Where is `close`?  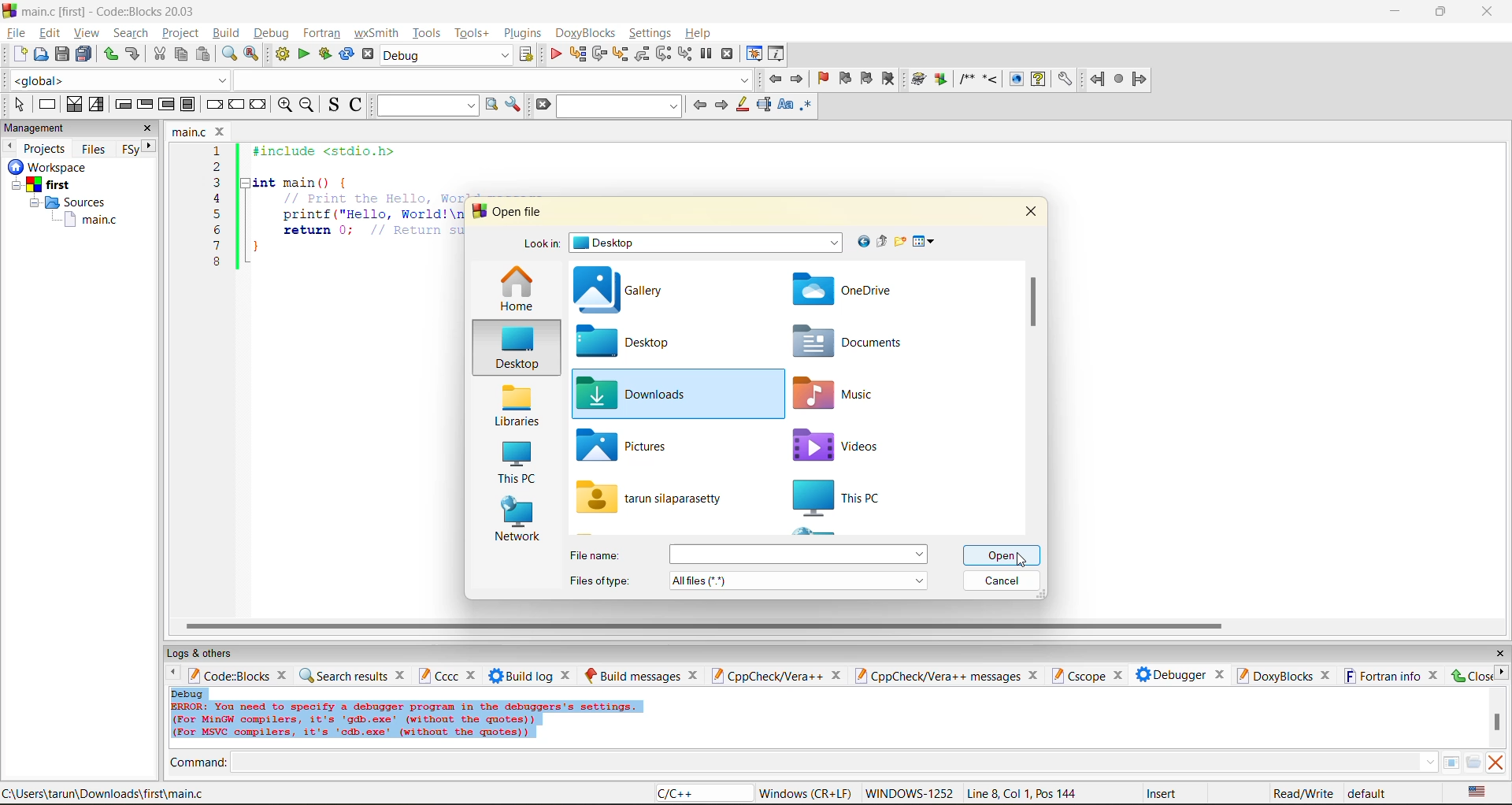
close is located at coordinates (1499, 654).